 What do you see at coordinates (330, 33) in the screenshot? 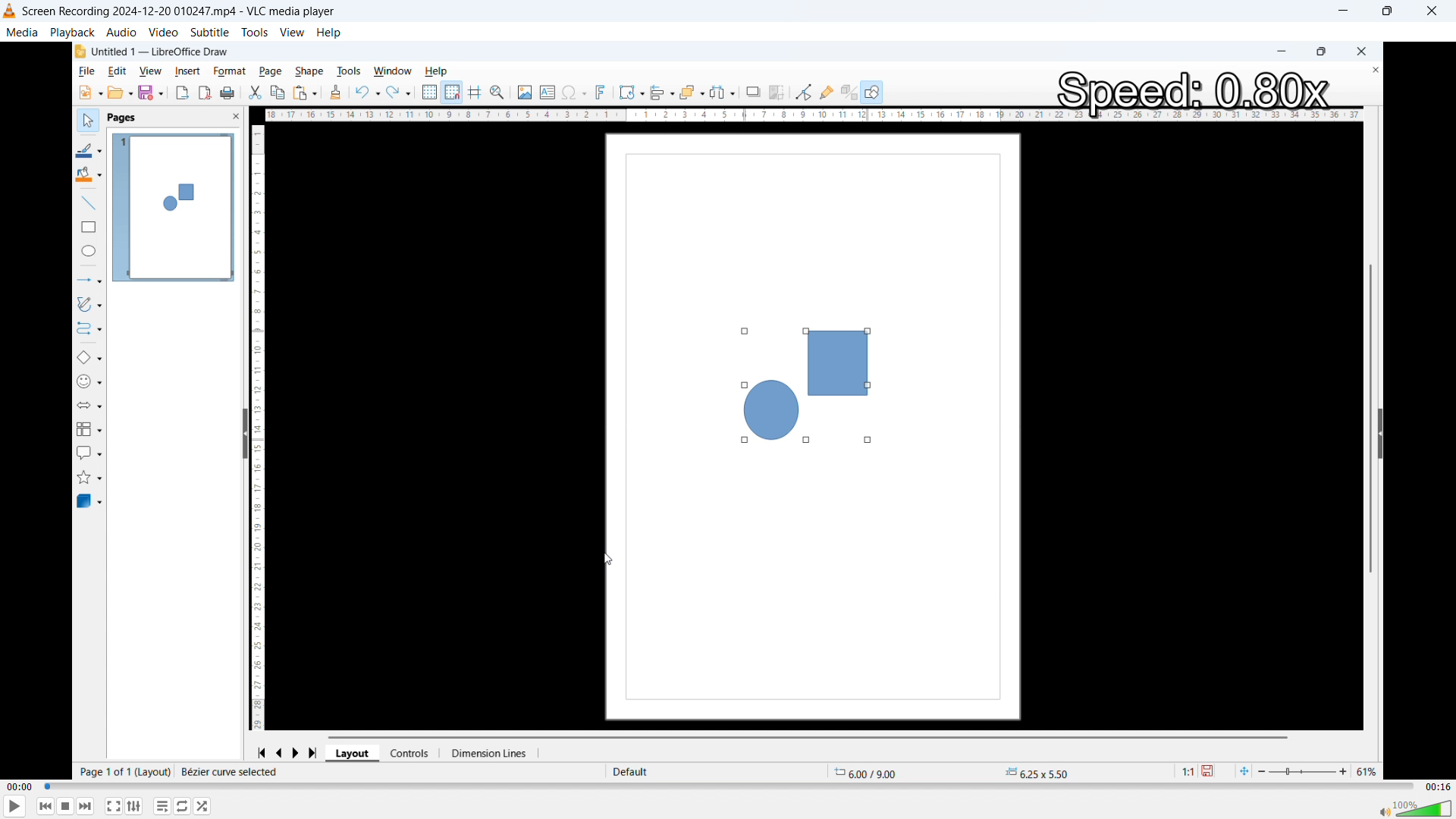
I see `help ` at bounding box center [330, 33].